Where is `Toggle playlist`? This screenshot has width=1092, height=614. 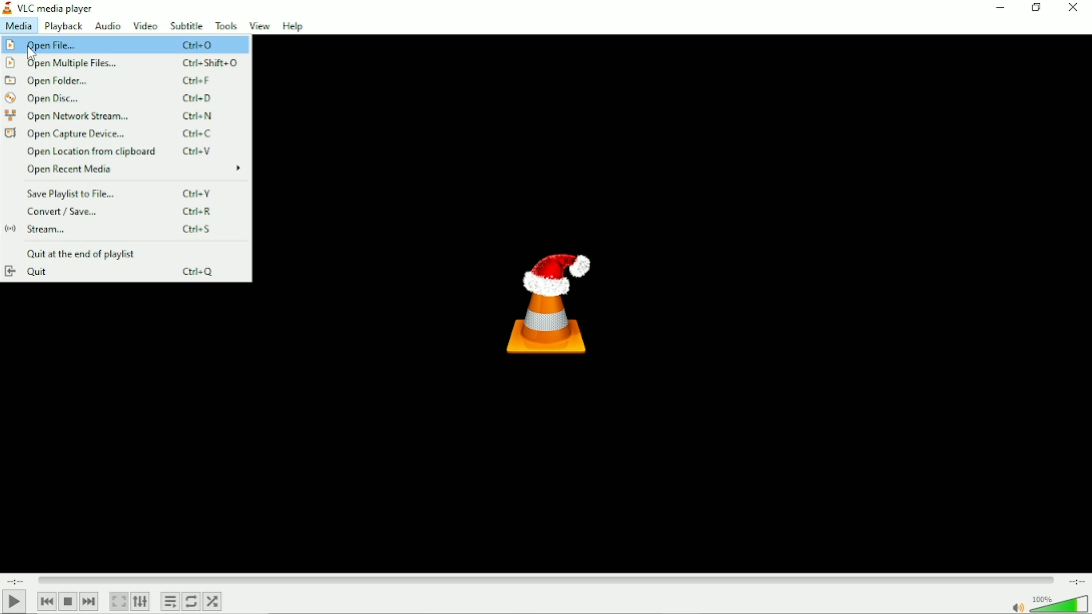 Toggle playlist is located at coordinates (169, 602).